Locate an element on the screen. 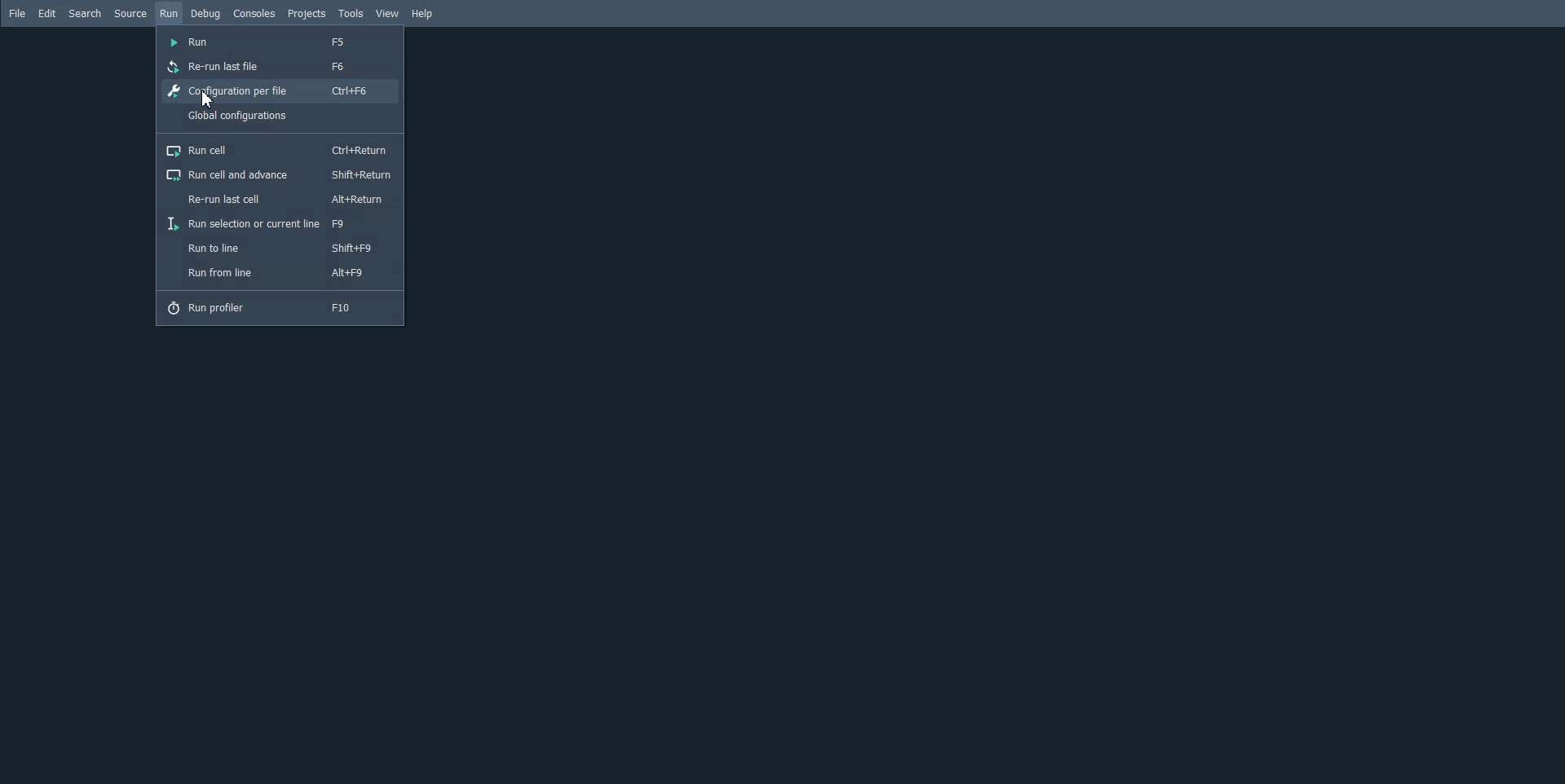  Run cell and advance is located at coordinates (280, 174).